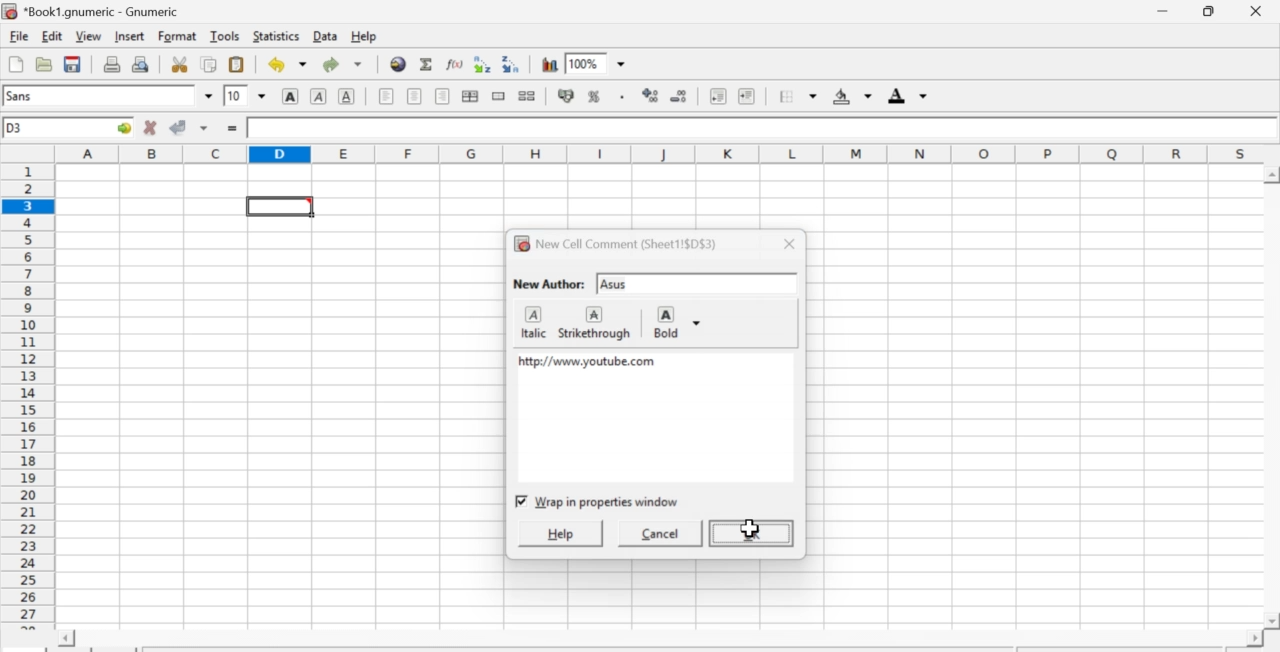 The image size is (1280, 652). Describe the element at coordinates (100, 98) in the screenshot. I see `Font Style` at that location.